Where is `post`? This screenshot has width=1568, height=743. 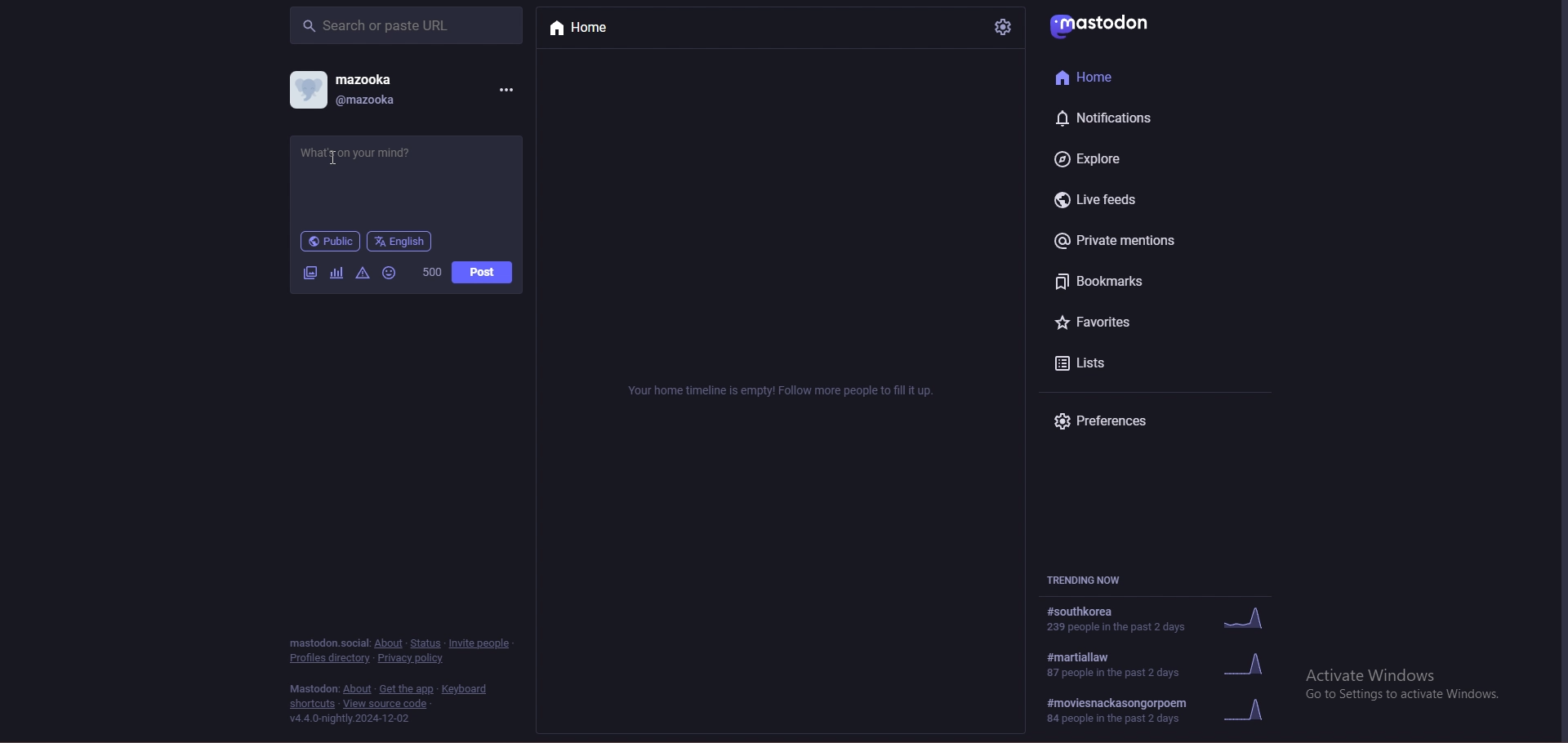 post is located at coordinates (483, 273).